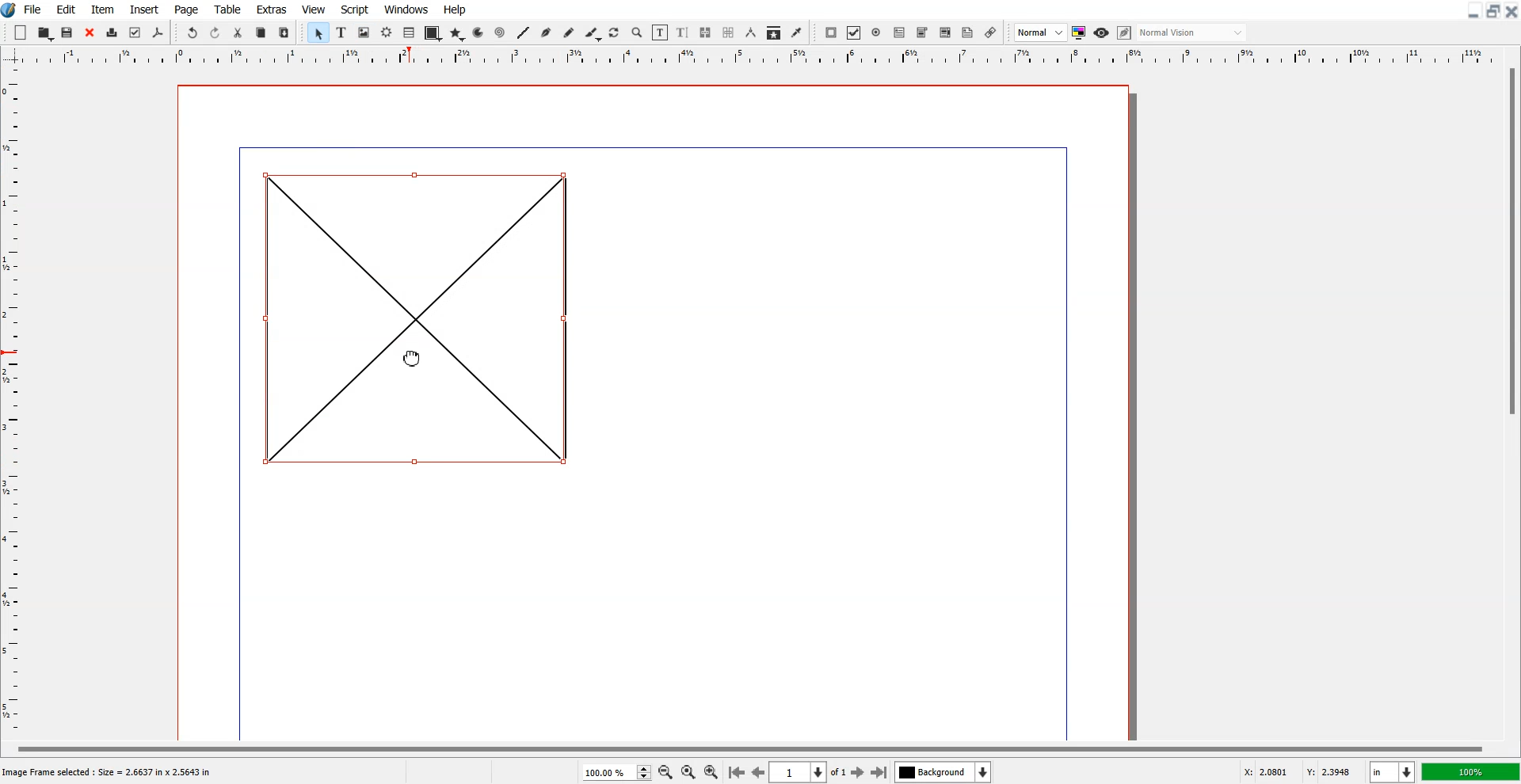 The image size is (1521, 784). Describe the element at coordinates (479, 32) in the screenshot. I see `Arc` at that location.